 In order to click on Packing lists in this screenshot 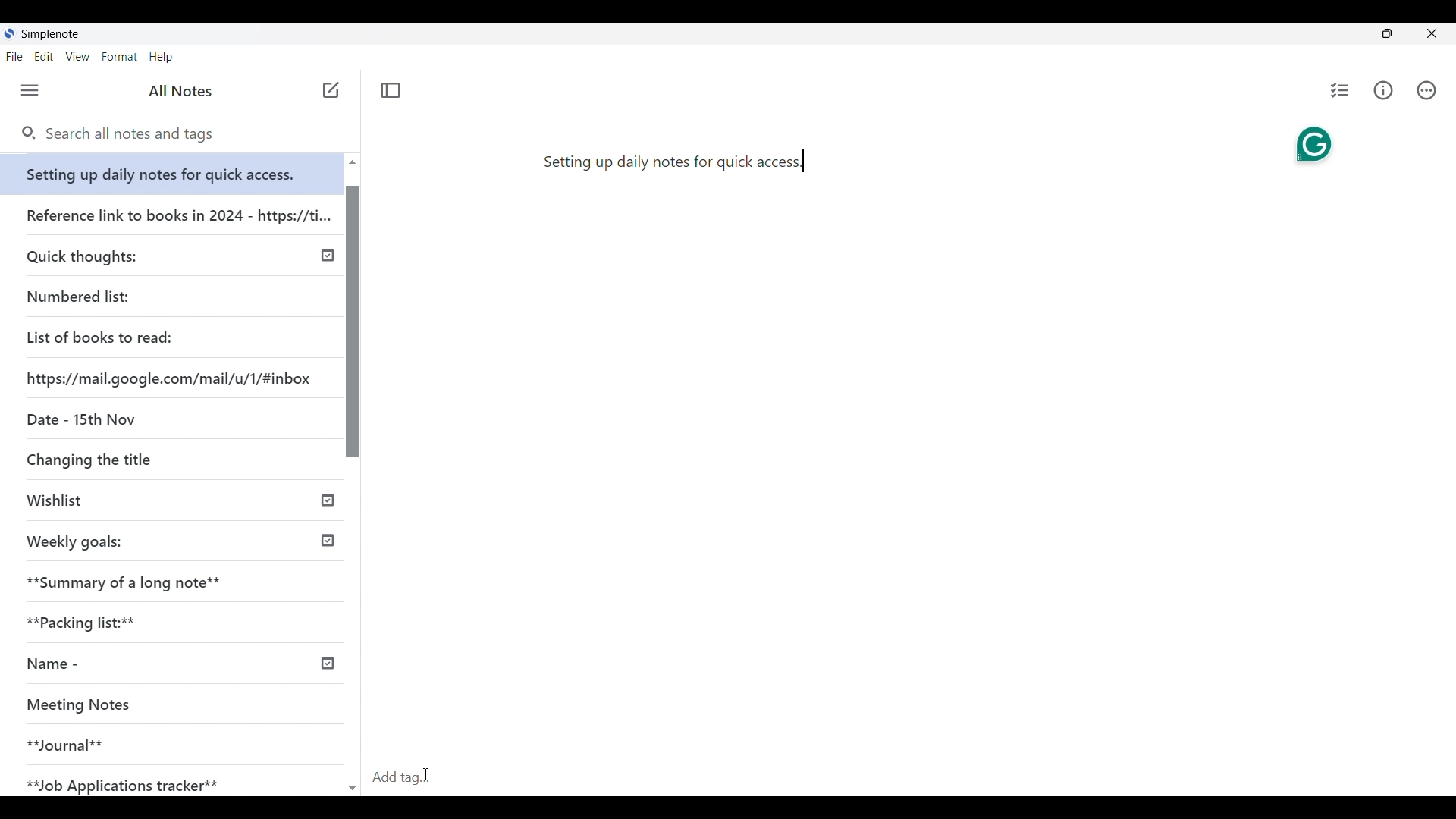, I will do `click(179, 620)`.